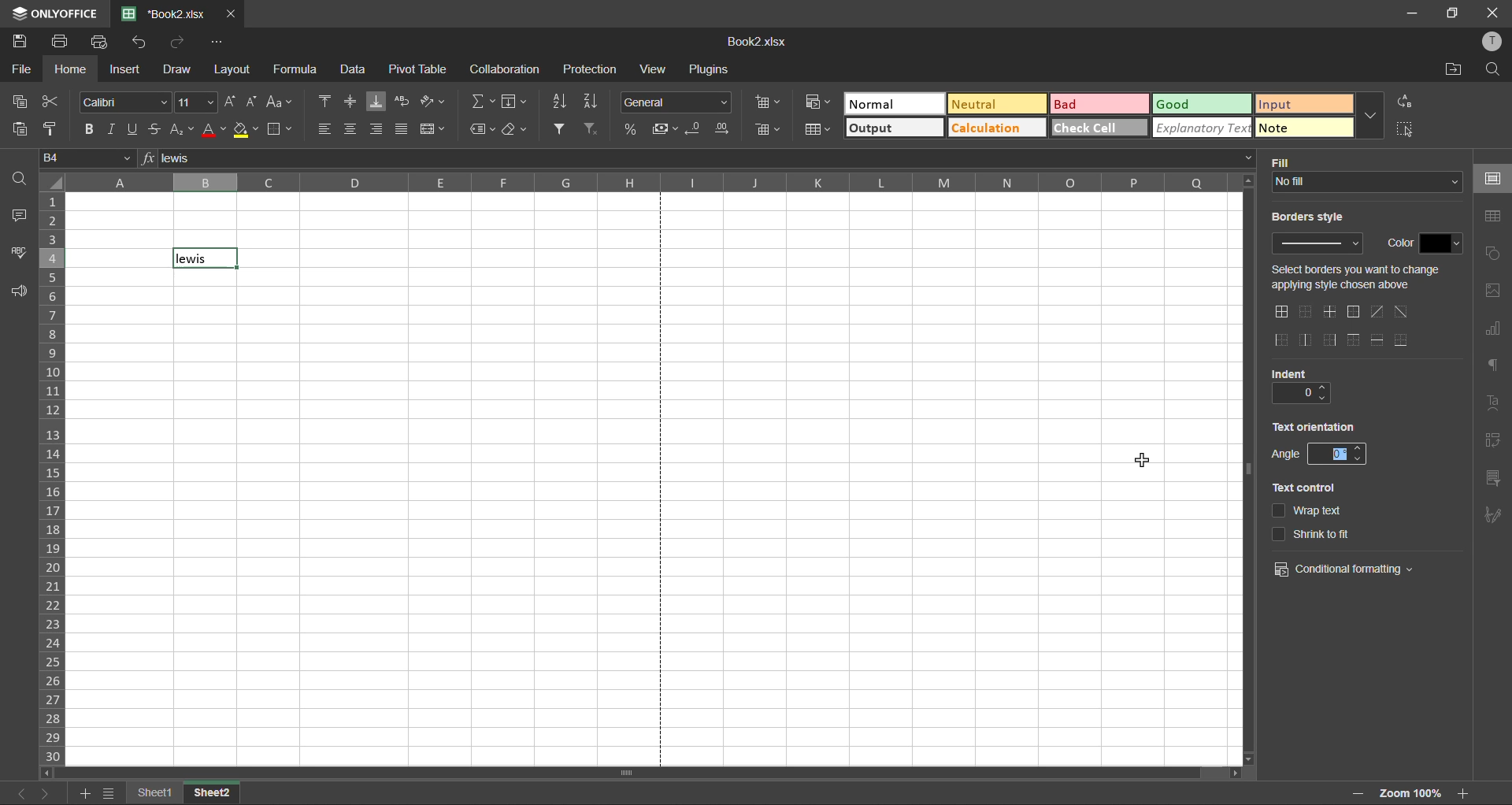  What do you see at coordinates (22, 69) in the screenshot?
I see `file` at bounding box center [22, 69].